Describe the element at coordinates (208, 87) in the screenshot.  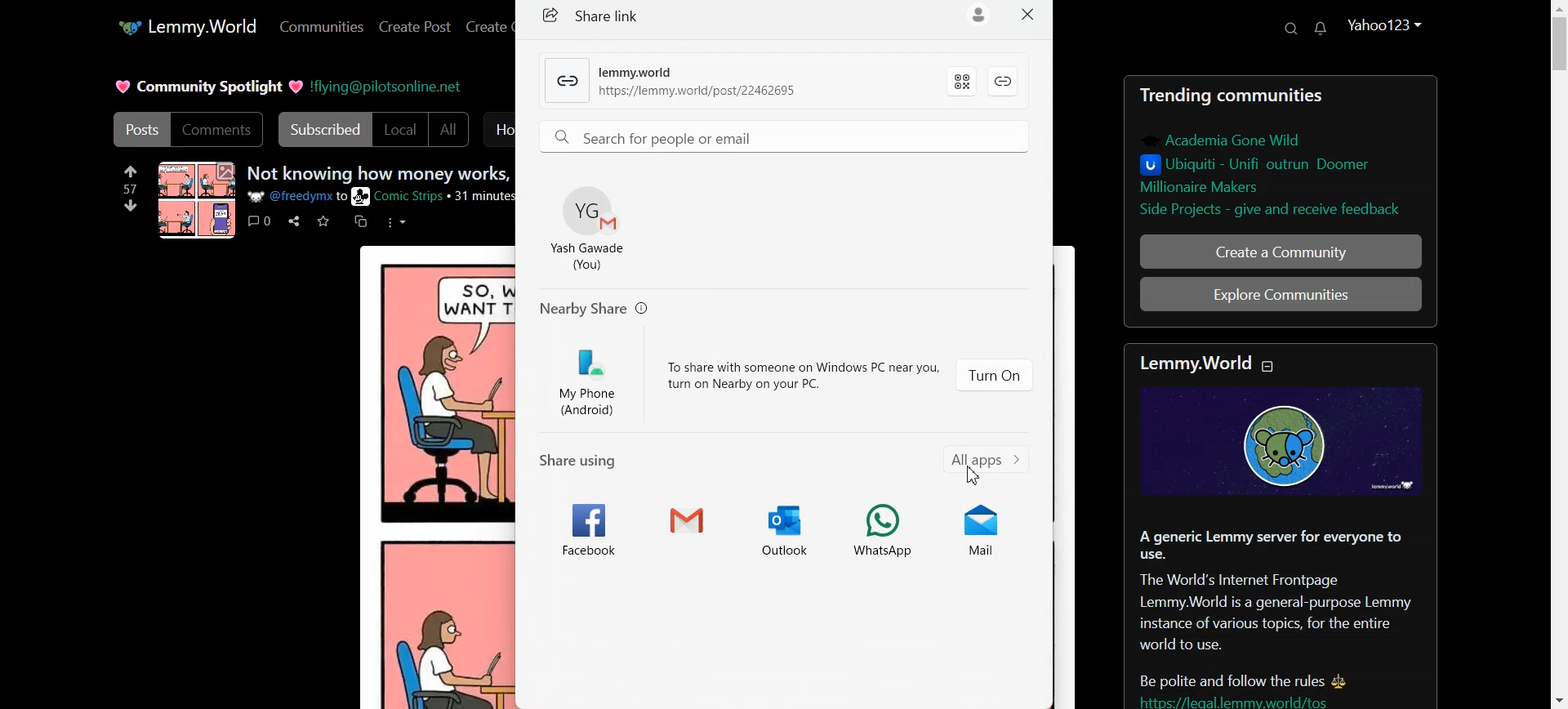
I see `Text` at that location.